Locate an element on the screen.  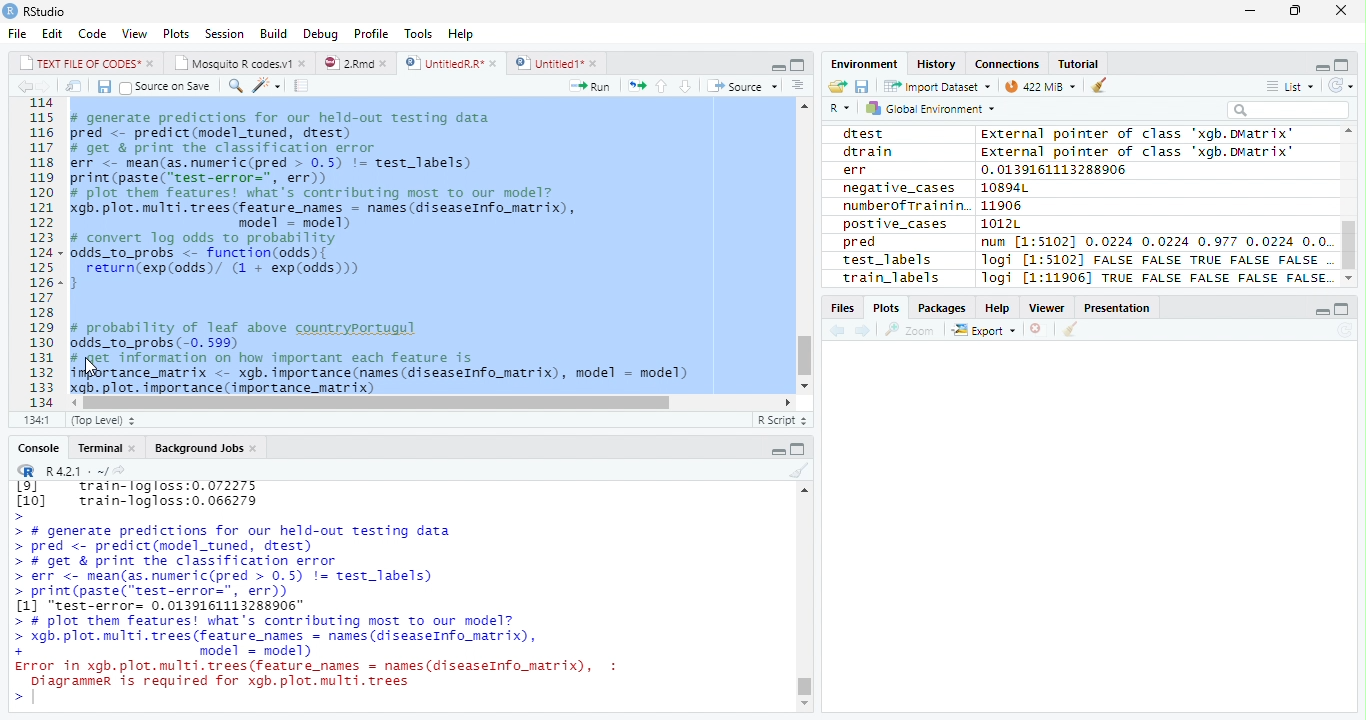
Show directory is located at coordinates (119, 469).